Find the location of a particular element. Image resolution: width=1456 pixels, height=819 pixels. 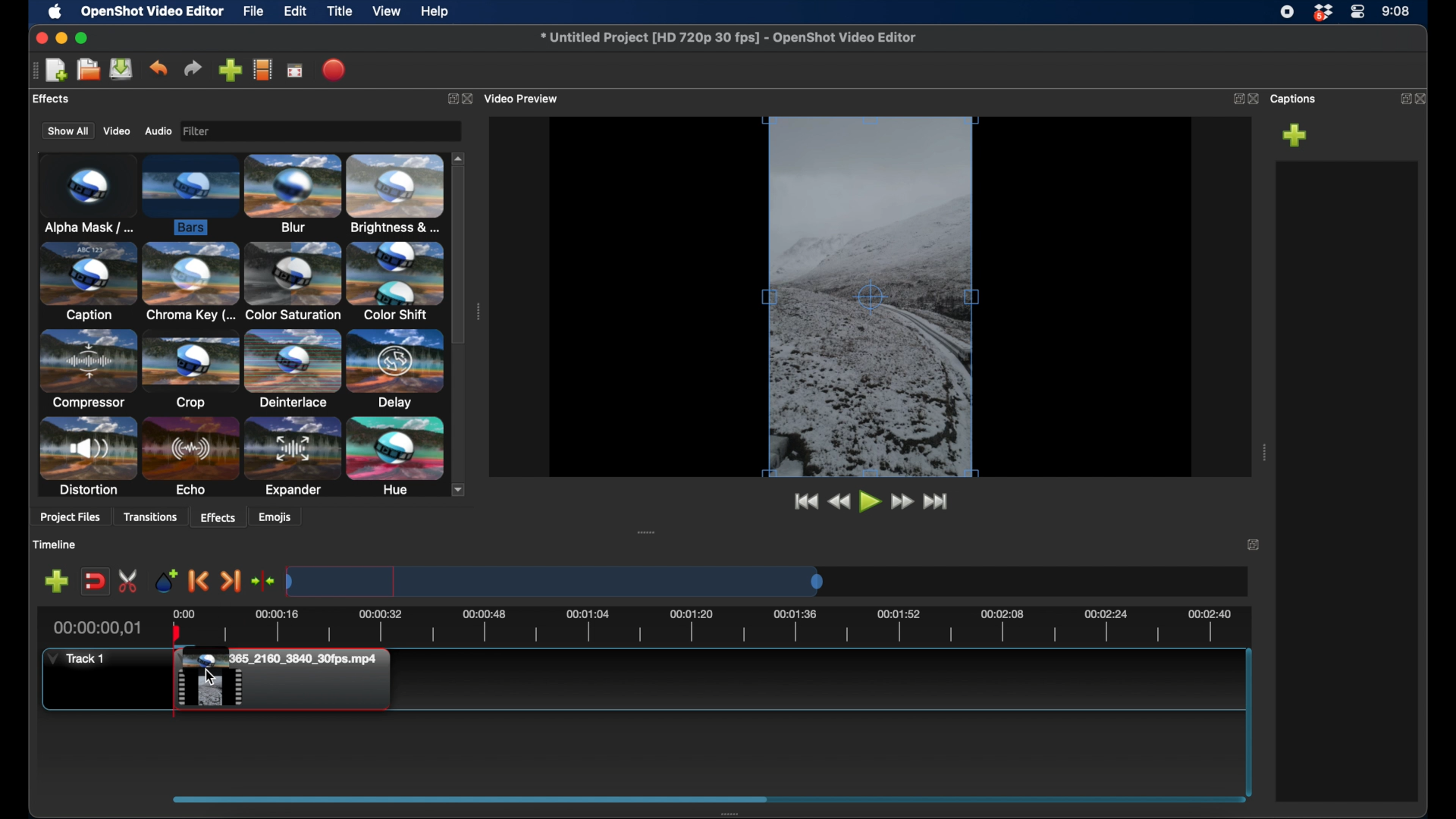

hue is located at coordinates (394, 457).